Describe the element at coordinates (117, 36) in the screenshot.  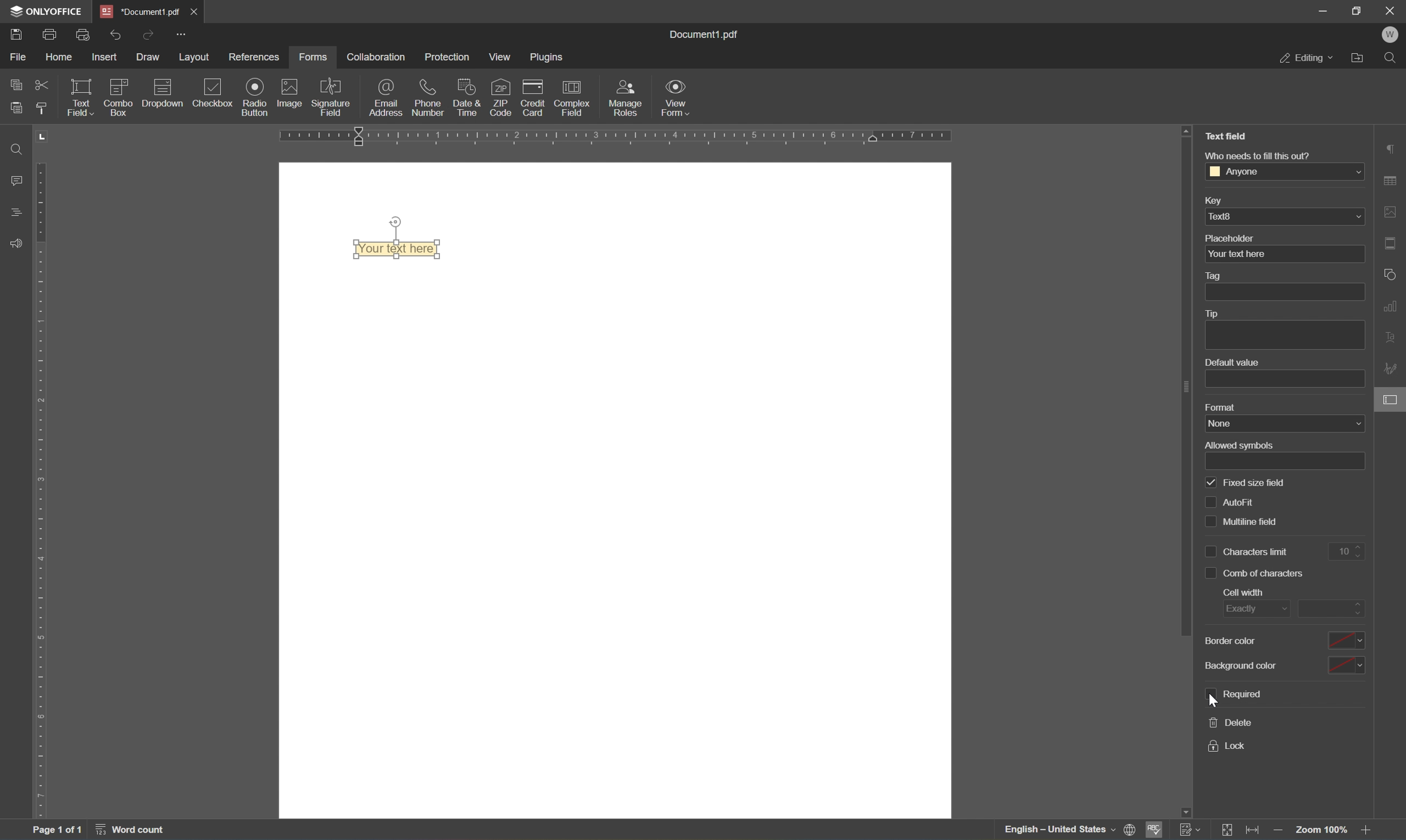
I see `redo` at that location.